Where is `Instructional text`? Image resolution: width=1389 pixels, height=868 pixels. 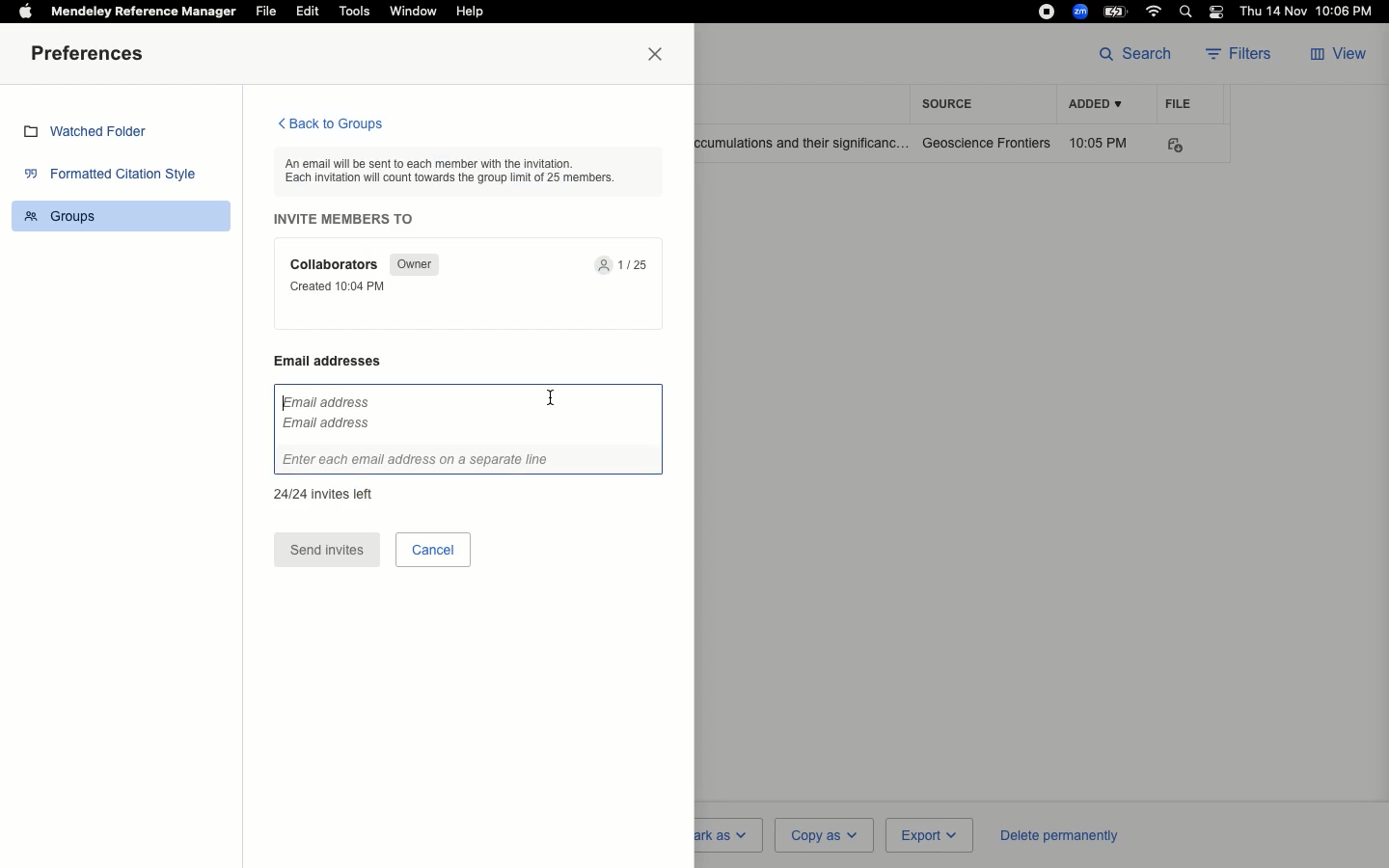
Instructional text is located at coordinates (462, 170).